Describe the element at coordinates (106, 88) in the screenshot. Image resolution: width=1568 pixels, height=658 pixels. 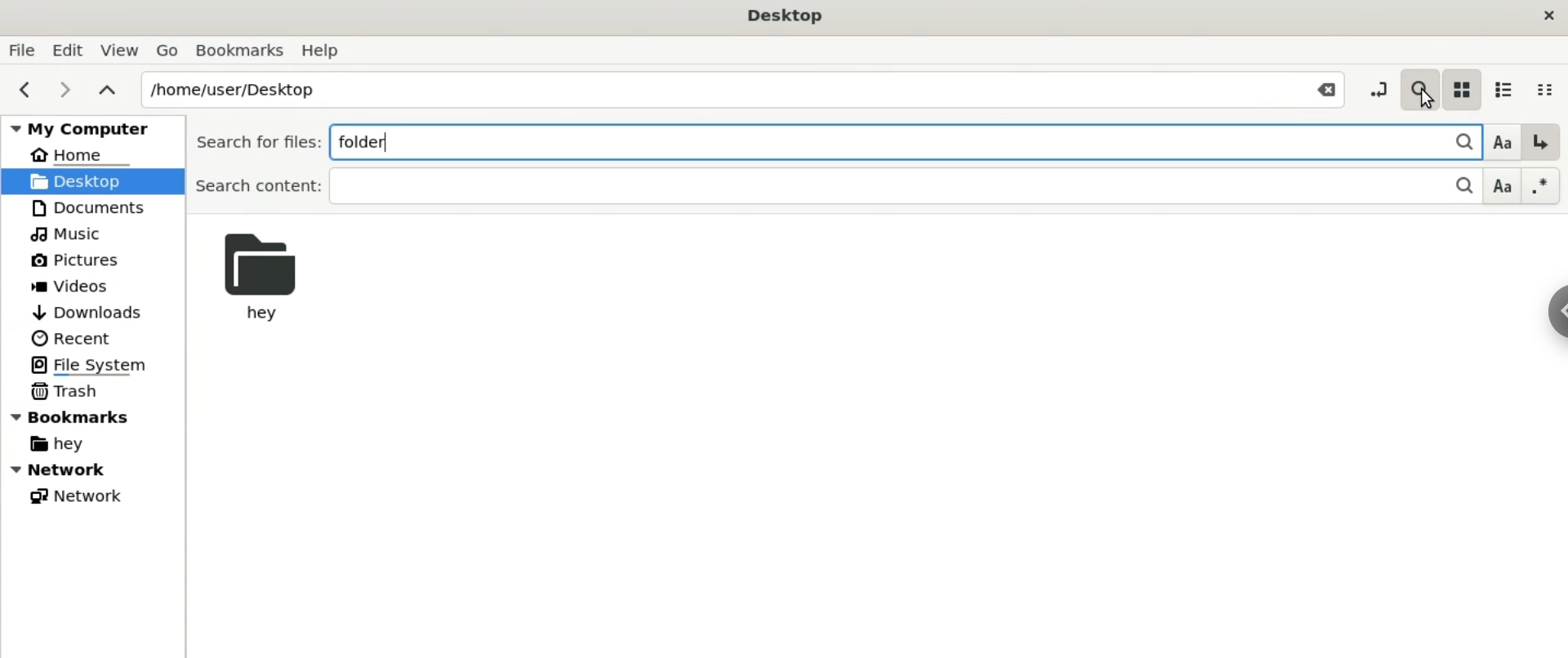
I see `parent folders` at that location.